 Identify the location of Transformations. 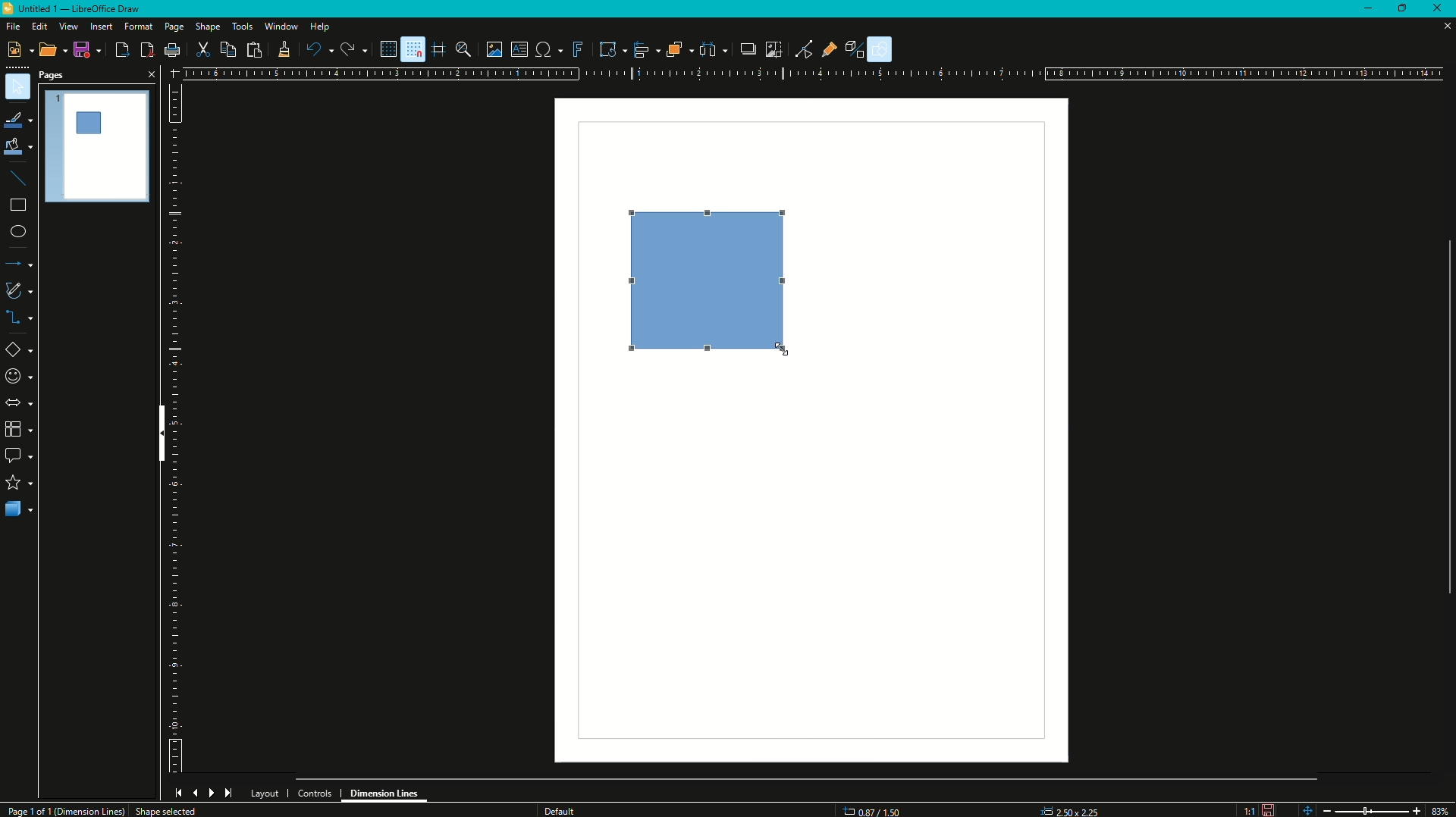
(607, 48).